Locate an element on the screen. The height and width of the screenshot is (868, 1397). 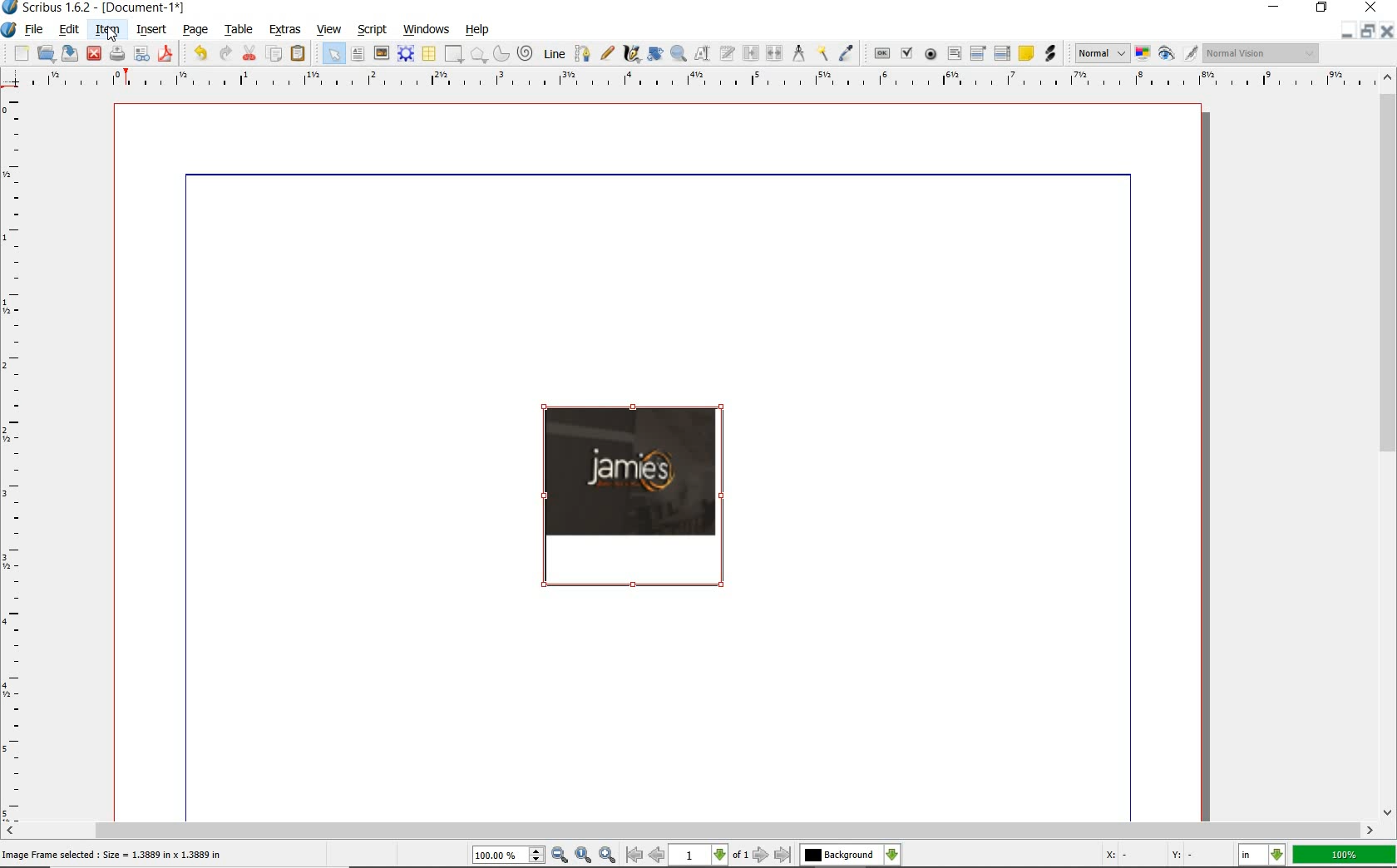
cut is located at coordinates (249, 53).